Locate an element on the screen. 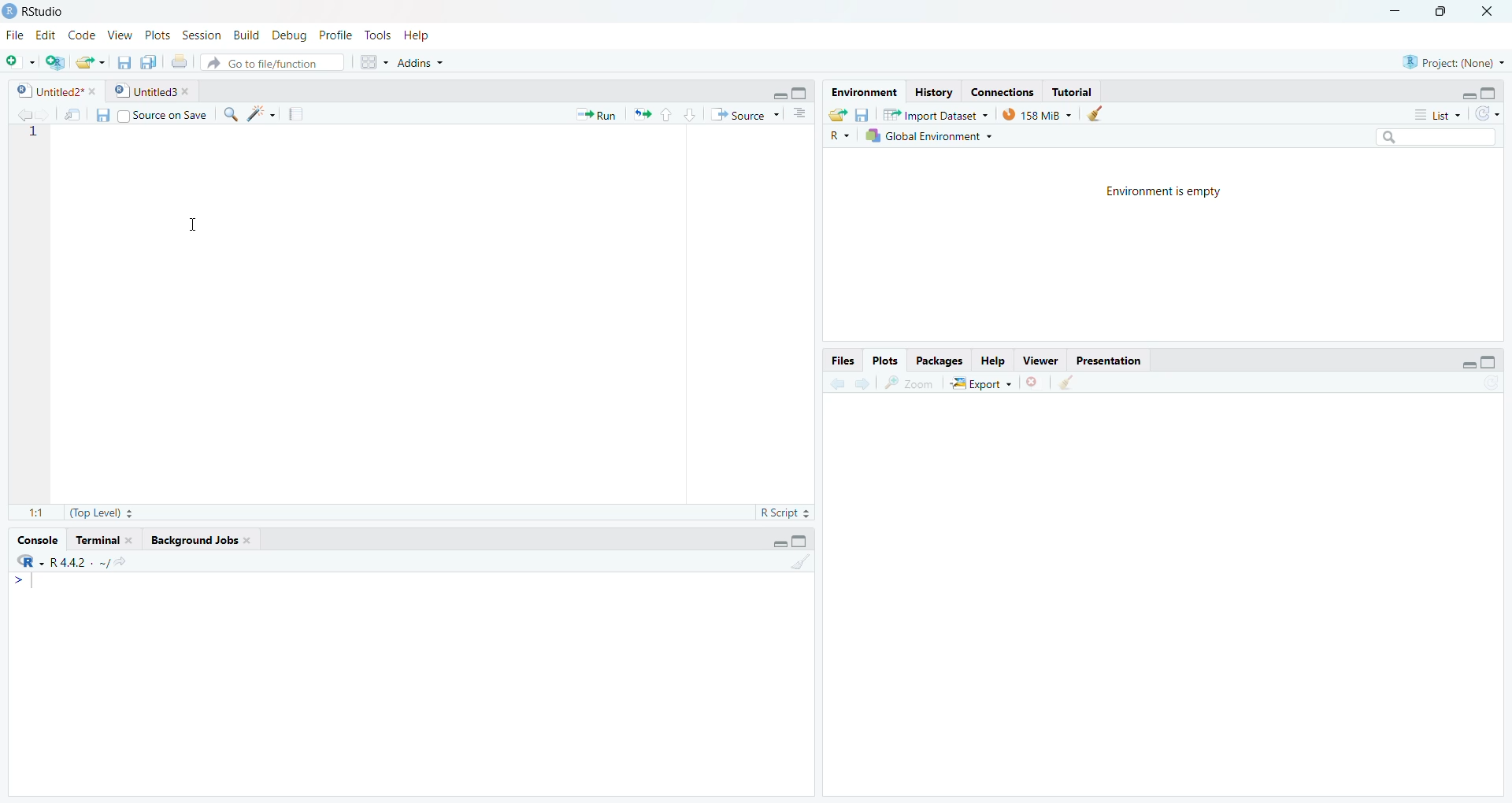 The image size is (1512, 803). 11 is located at coordinates (30, 509).